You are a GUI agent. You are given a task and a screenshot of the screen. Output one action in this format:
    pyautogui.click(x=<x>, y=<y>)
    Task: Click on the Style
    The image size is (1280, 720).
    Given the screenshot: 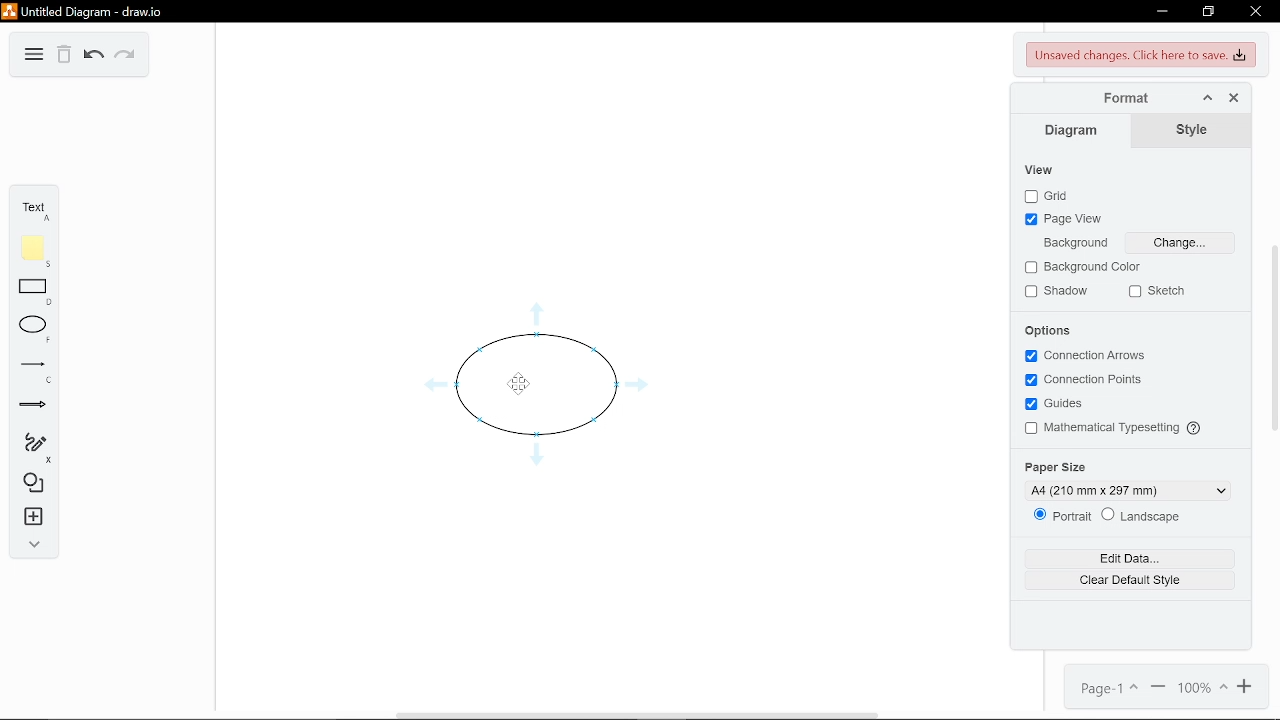 What is the action you would take?
    pyautogui.click(x=1200, y=129)
    